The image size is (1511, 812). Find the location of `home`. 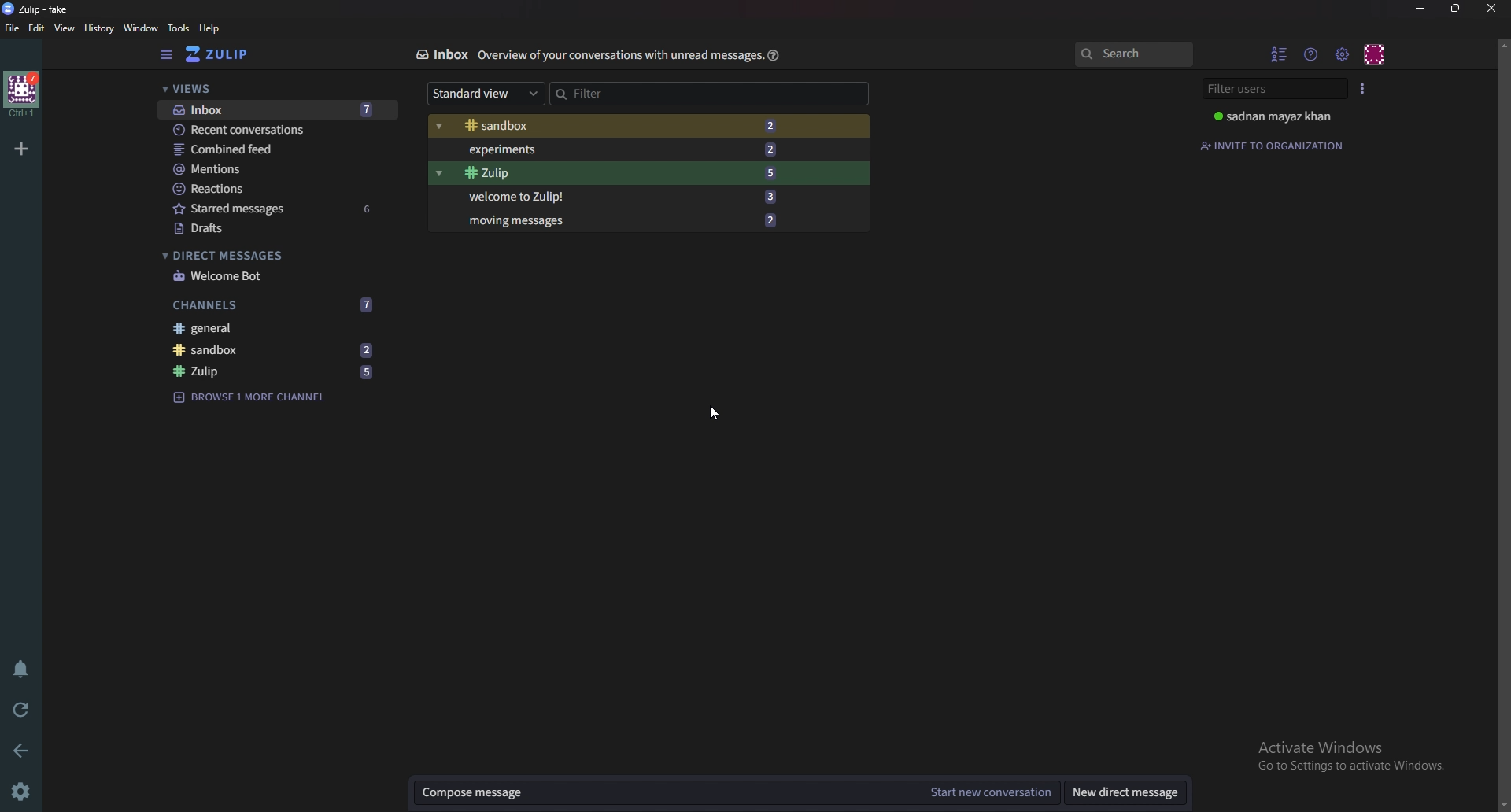

home is located at coordinates (20, 94).